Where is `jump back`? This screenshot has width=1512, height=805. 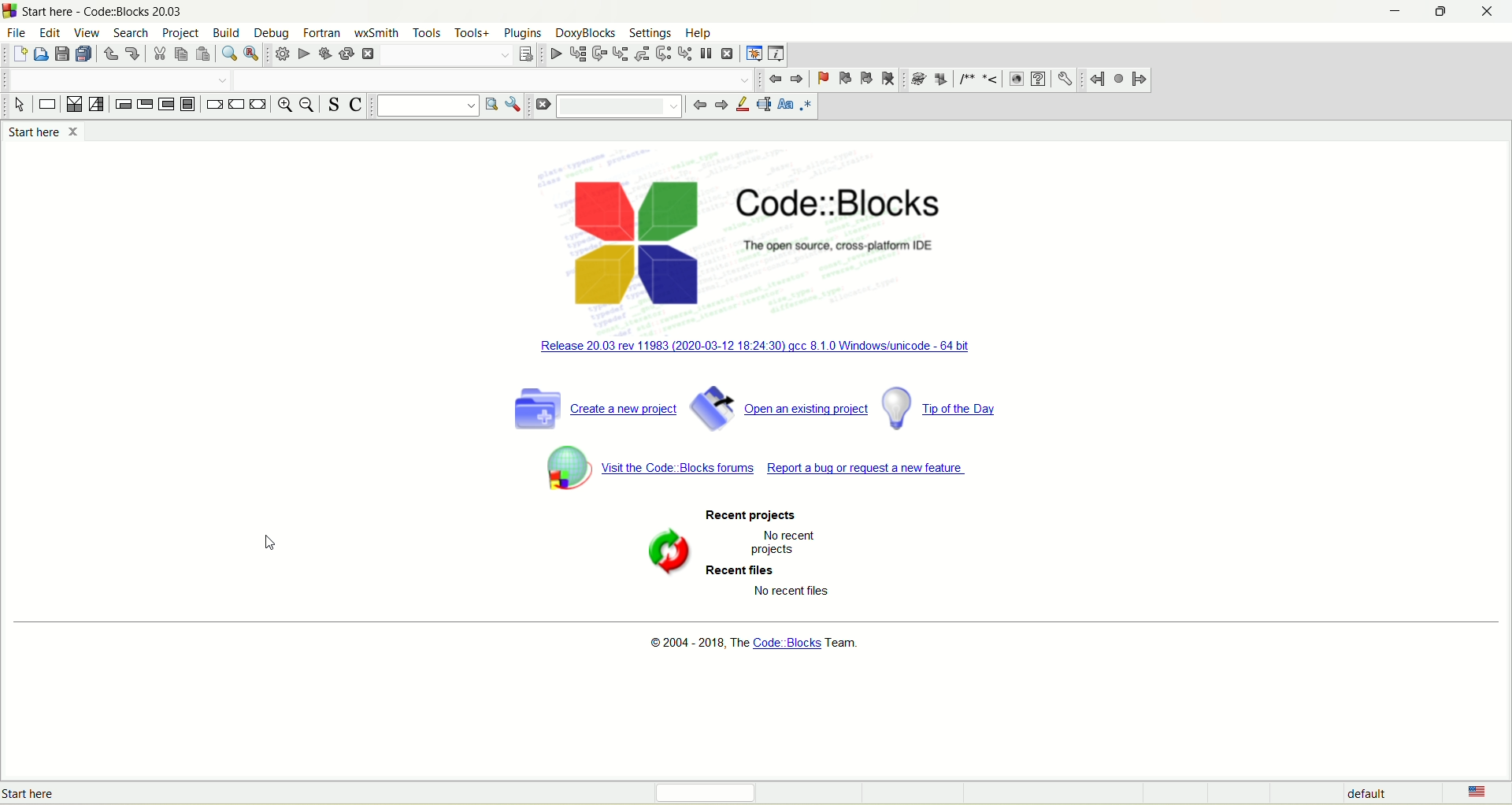 jump back is located at coordinates (1099, 79).